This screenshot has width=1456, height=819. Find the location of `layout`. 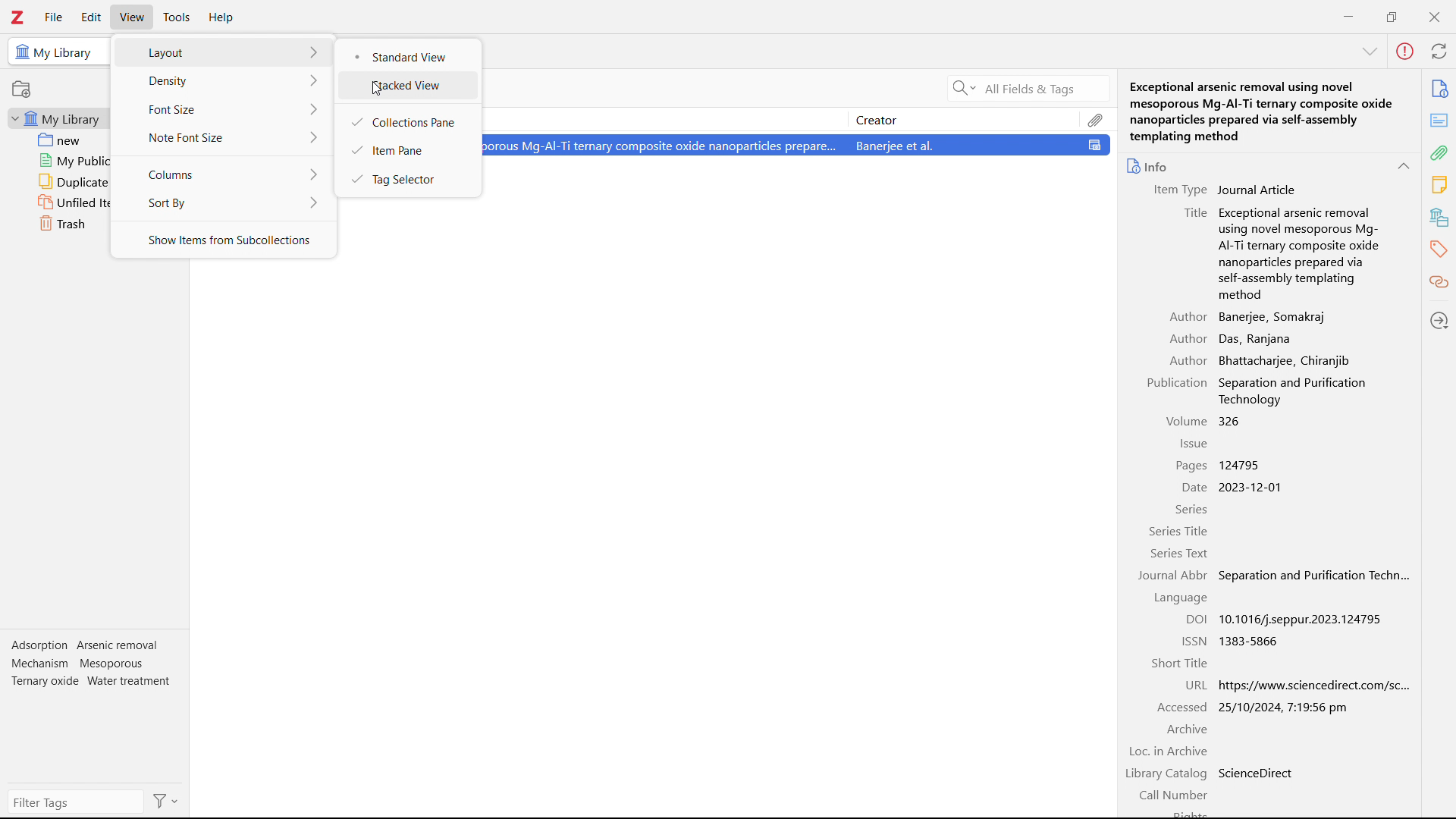

layout is located at coordinates (224, 52).